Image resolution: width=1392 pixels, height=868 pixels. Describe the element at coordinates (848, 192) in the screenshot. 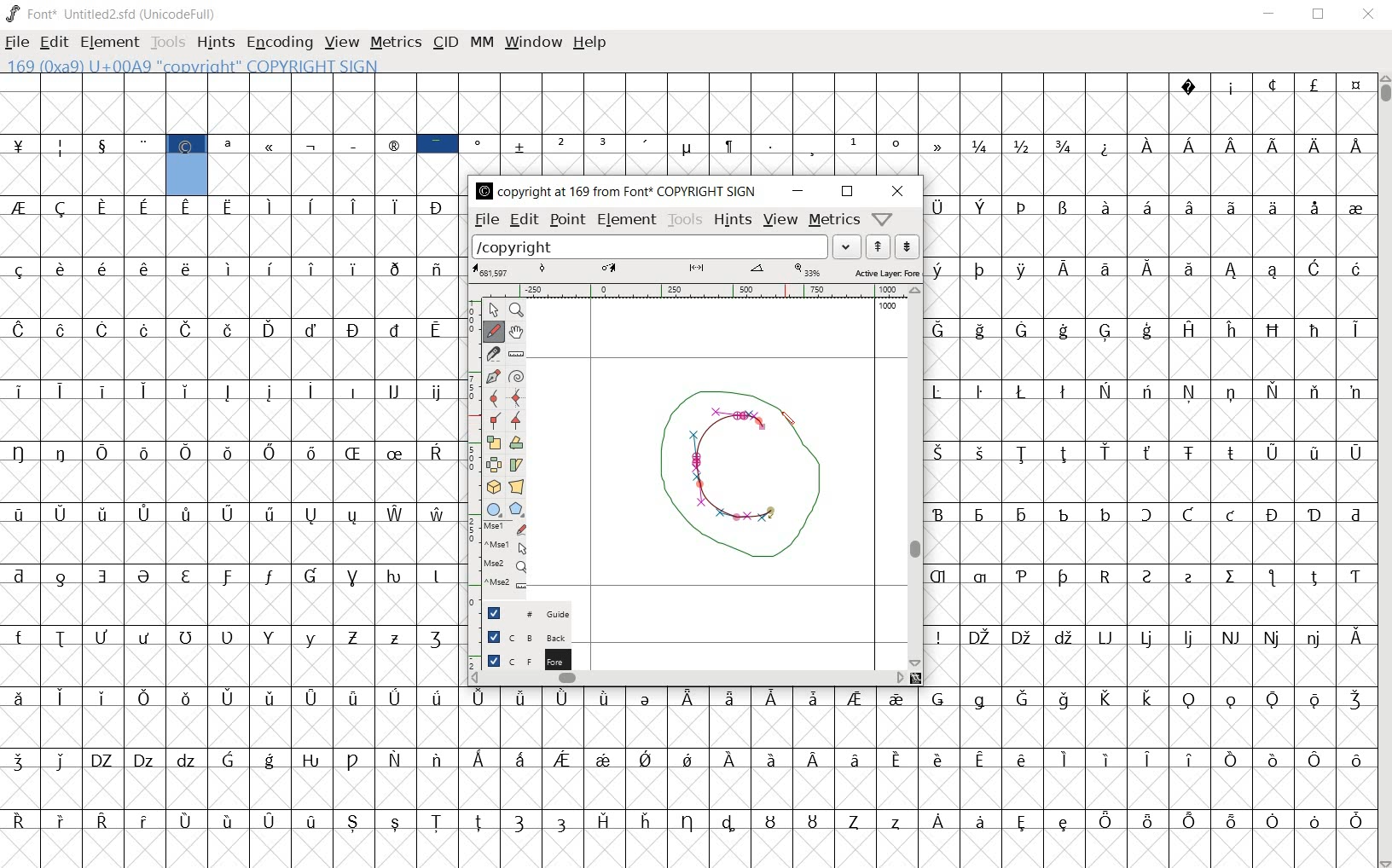

I see `restore` at that location.